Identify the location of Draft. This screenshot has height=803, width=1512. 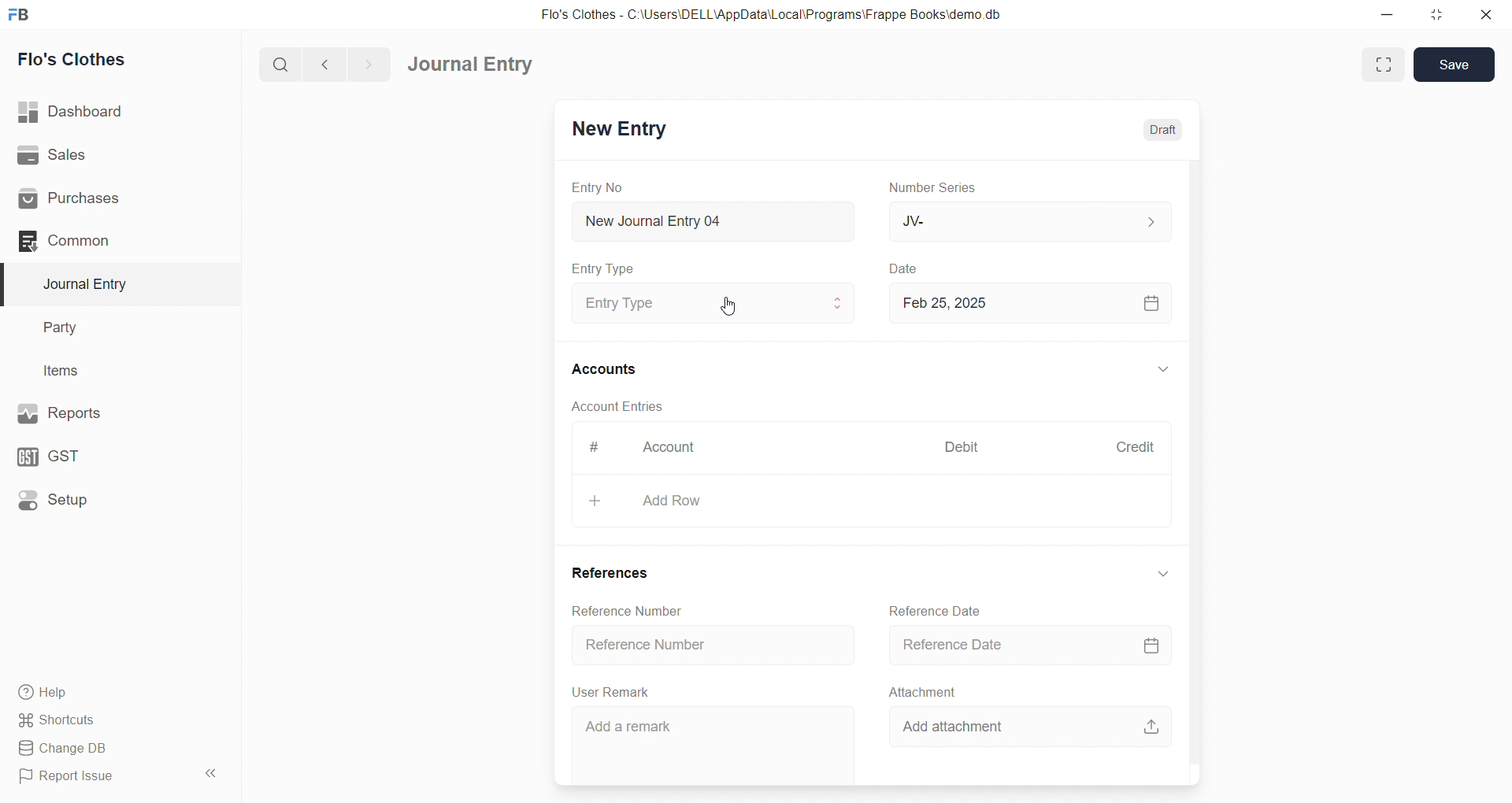
(1164, 130).